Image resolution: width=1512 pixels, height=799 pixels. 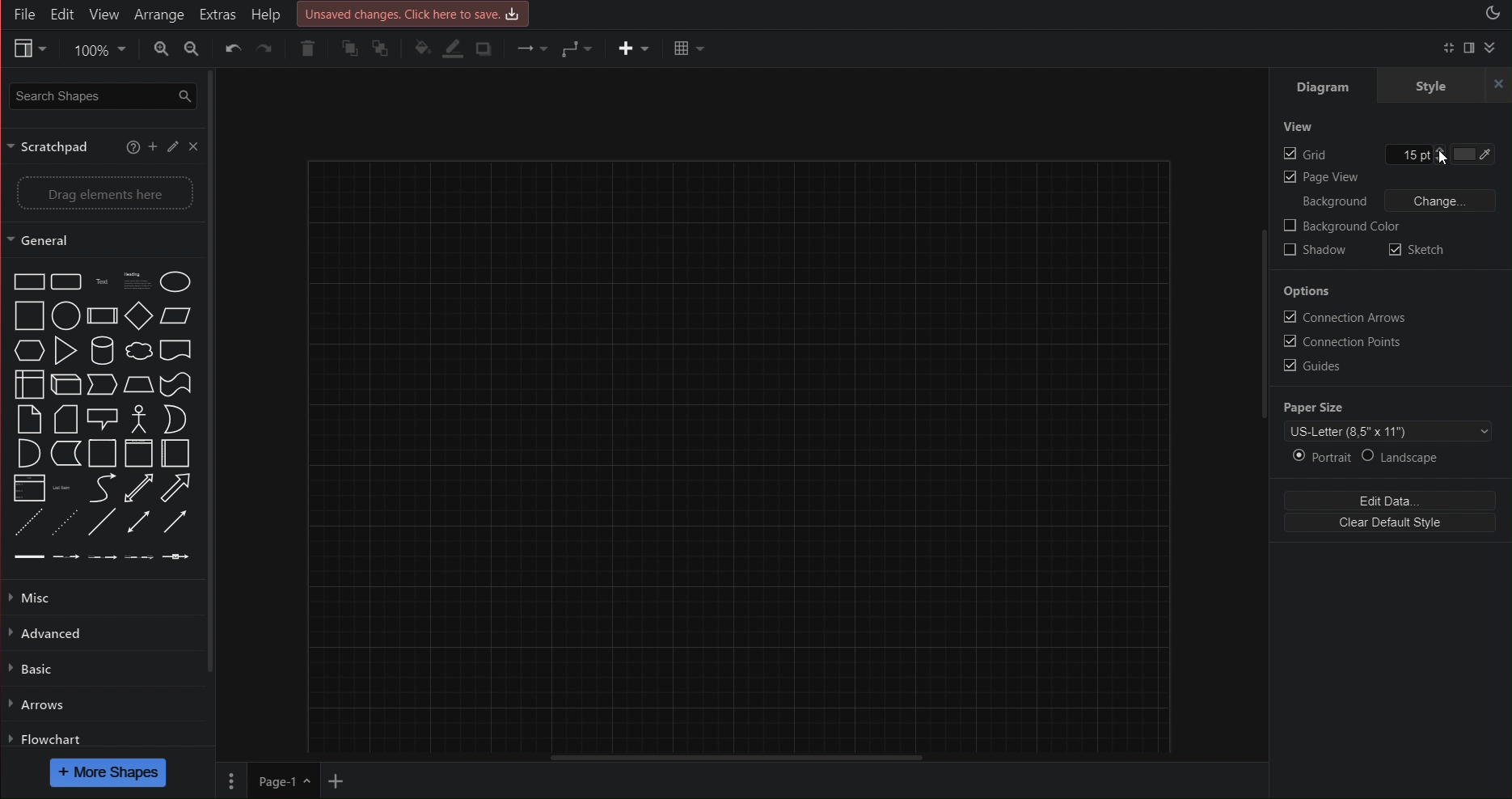 What do you see at coordinates (1445, 87) in the screenshot?
I see `Style` at bounding box center [1445, 87].